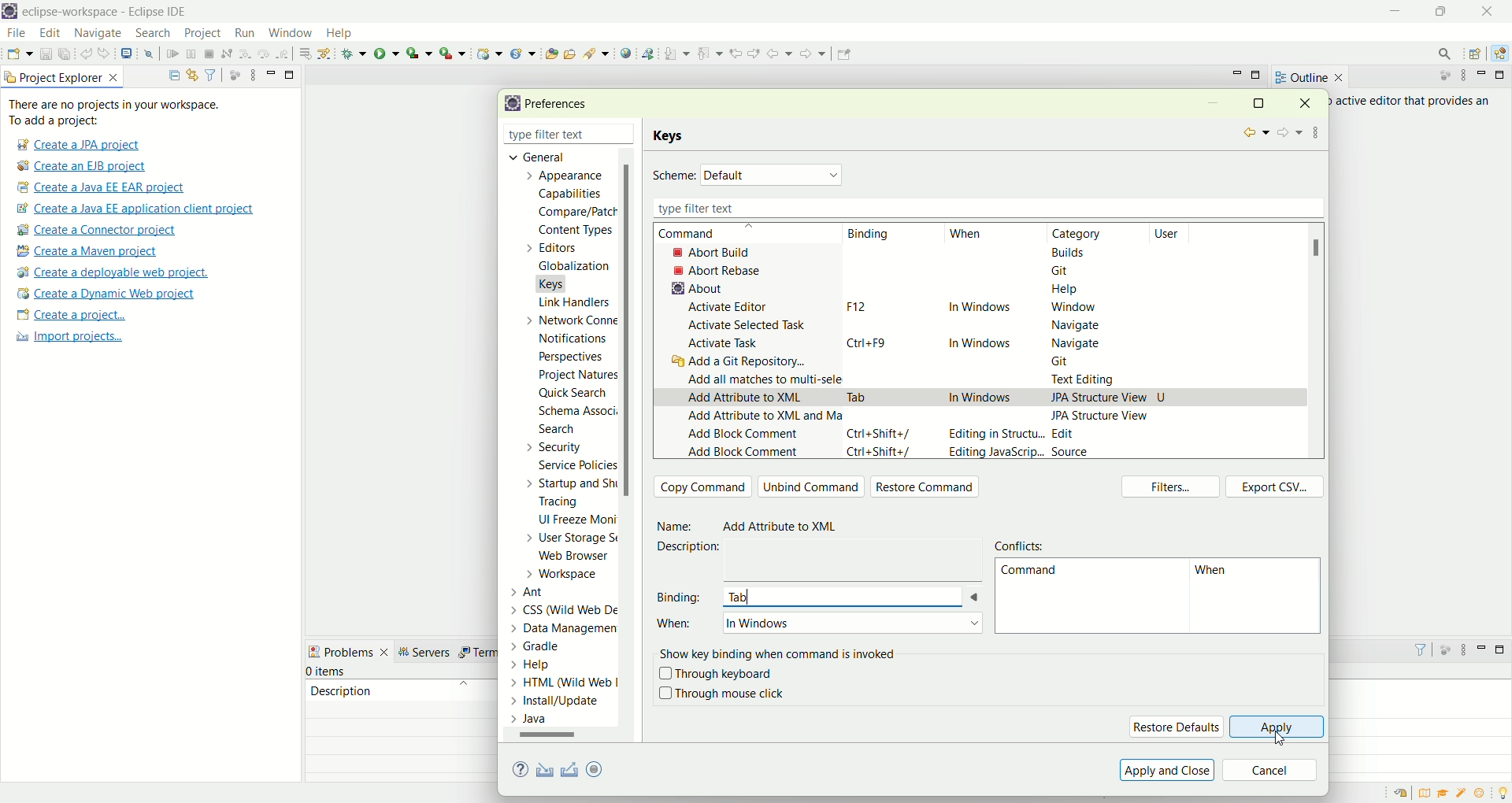 The width and height of the screenshot is (1512, 803). I want to click on minimize, so click(1484, 75).